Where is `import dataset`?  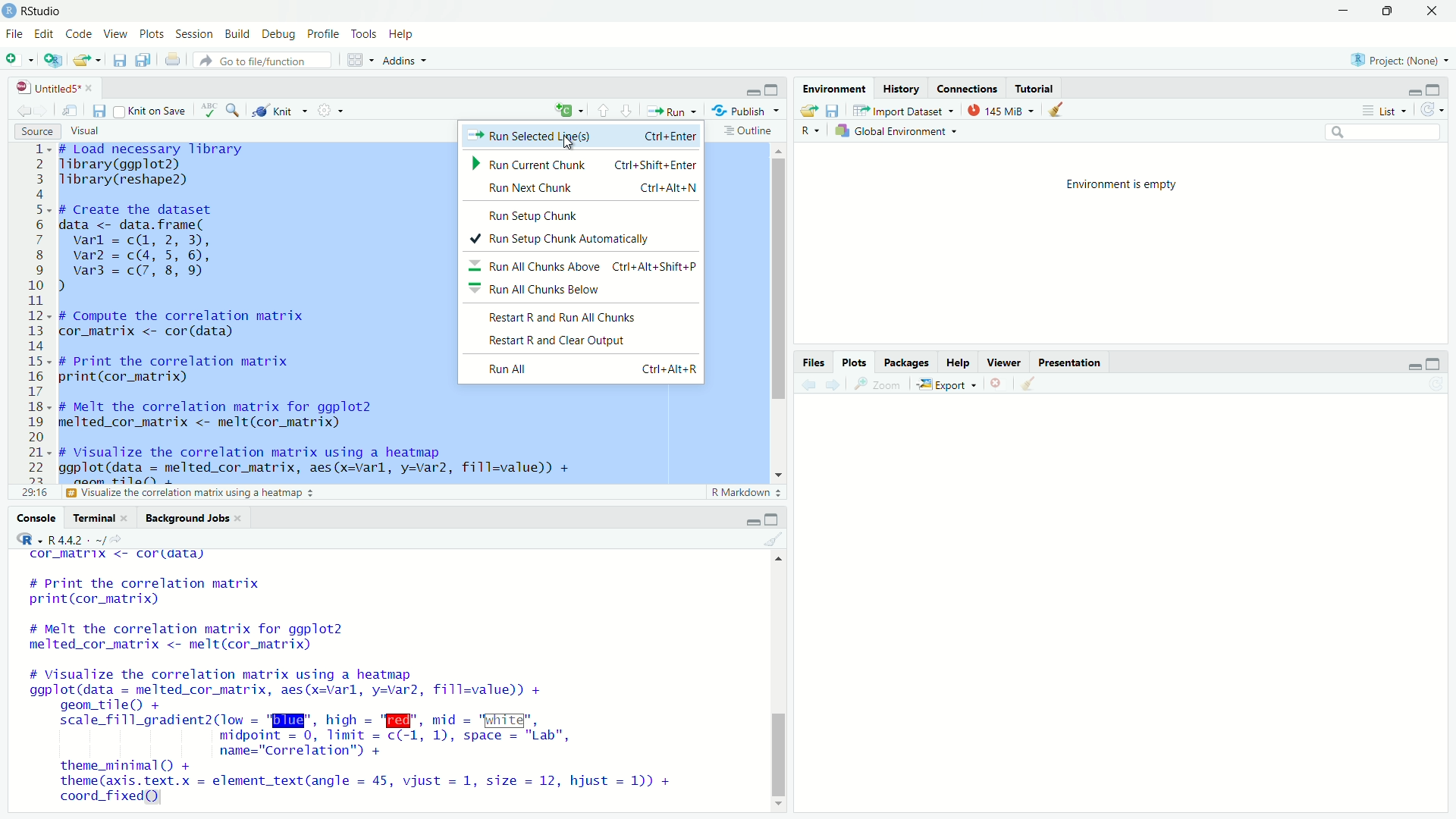
import dataset is located at coordinates (904, 111).